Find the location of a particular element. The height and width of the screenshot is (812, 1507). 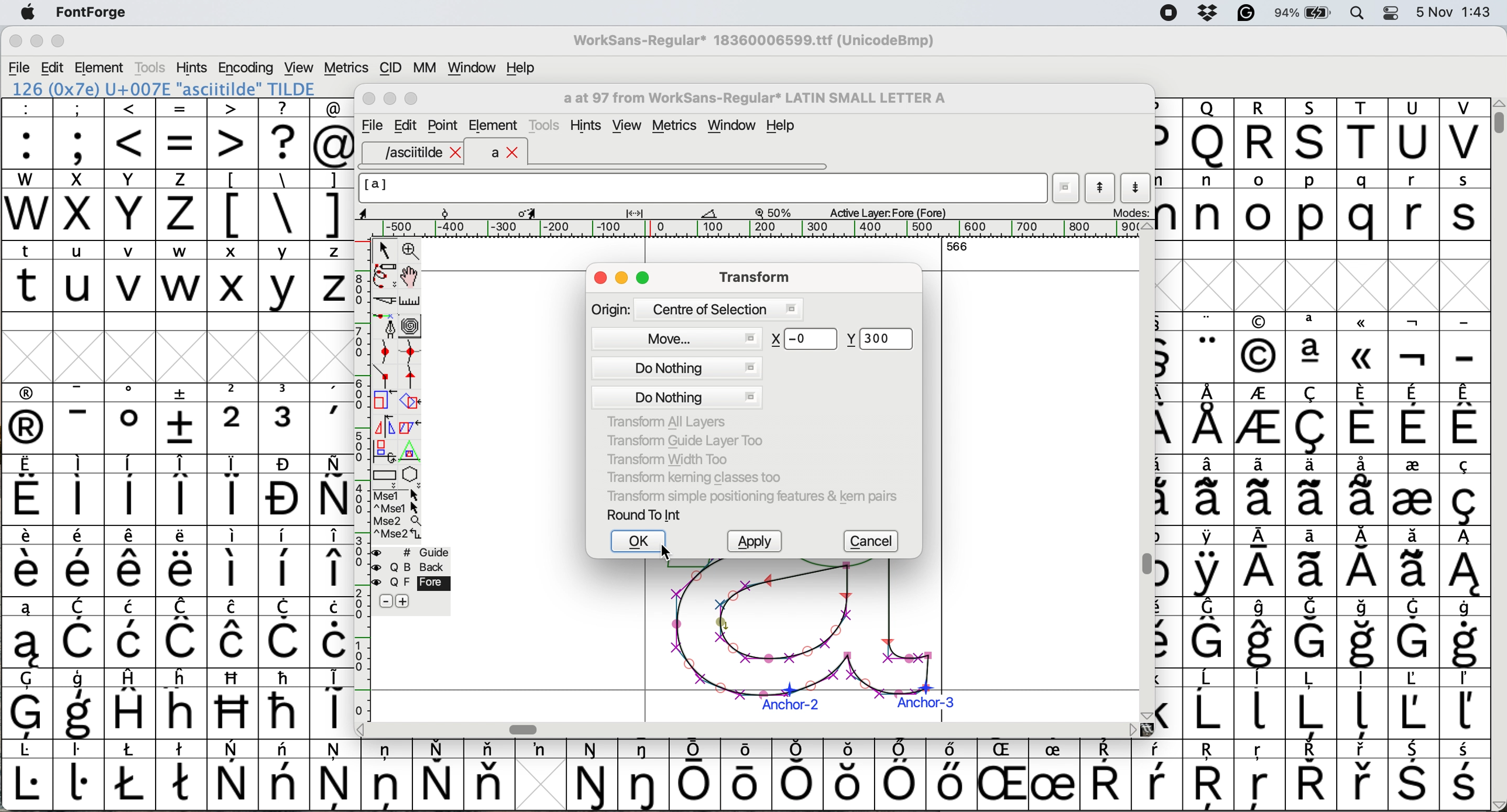

w is located at coordinates (181, 277).